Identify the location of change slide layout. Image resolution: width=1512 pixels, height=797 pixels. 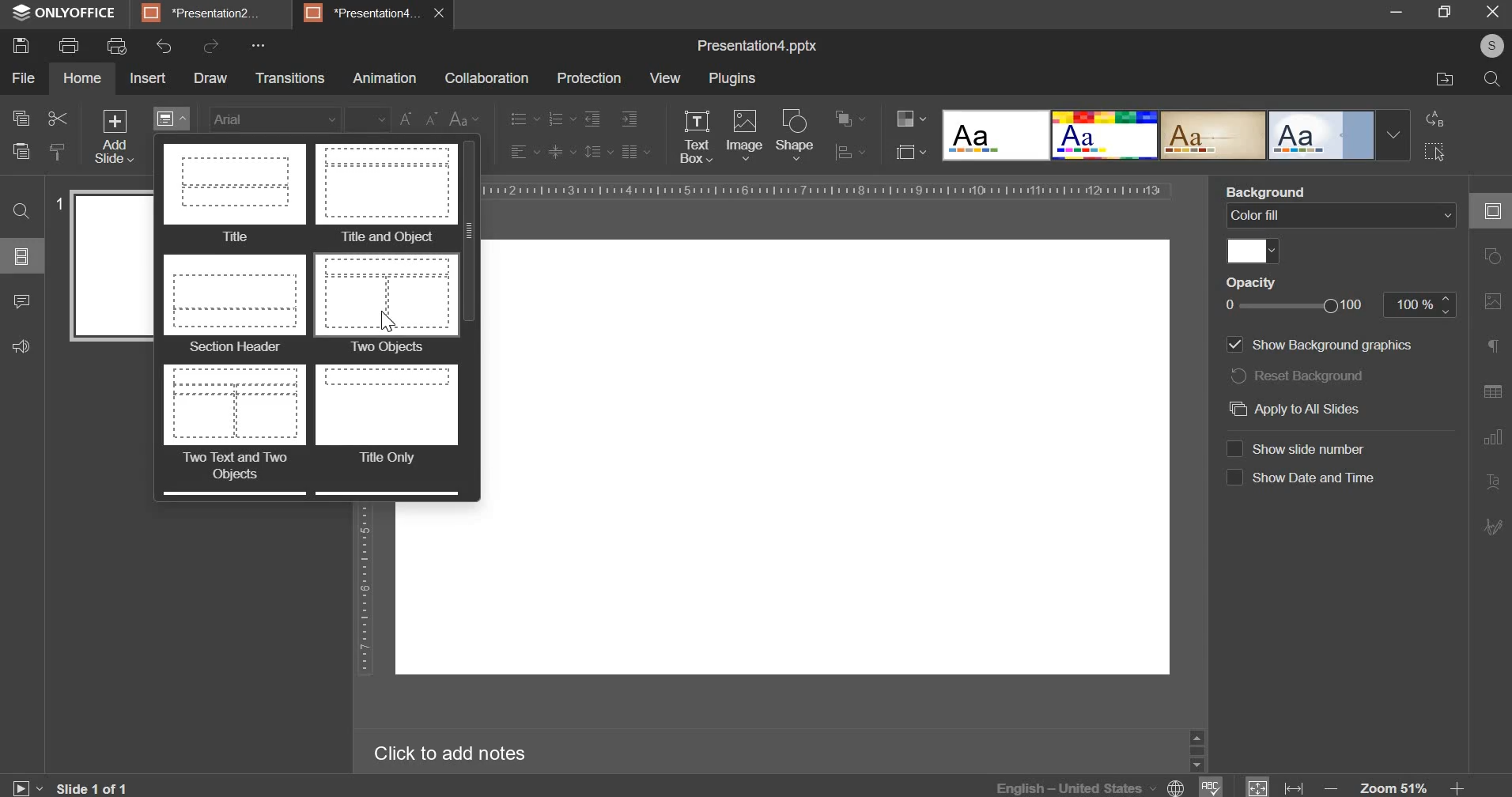
(177, 122).